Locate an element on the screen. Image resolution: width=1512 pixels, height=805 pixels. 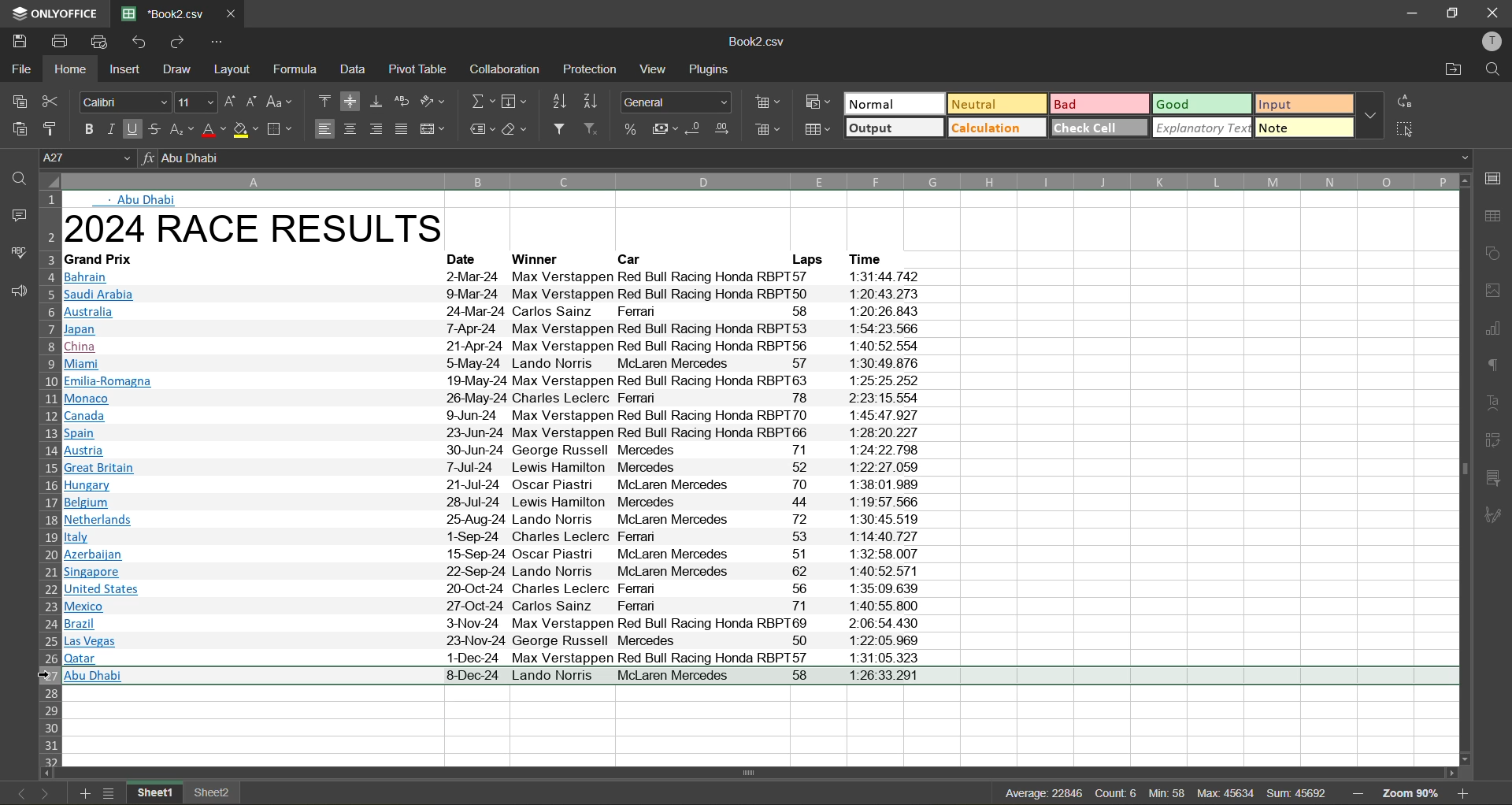
cut is located at coordinates (57, 101).